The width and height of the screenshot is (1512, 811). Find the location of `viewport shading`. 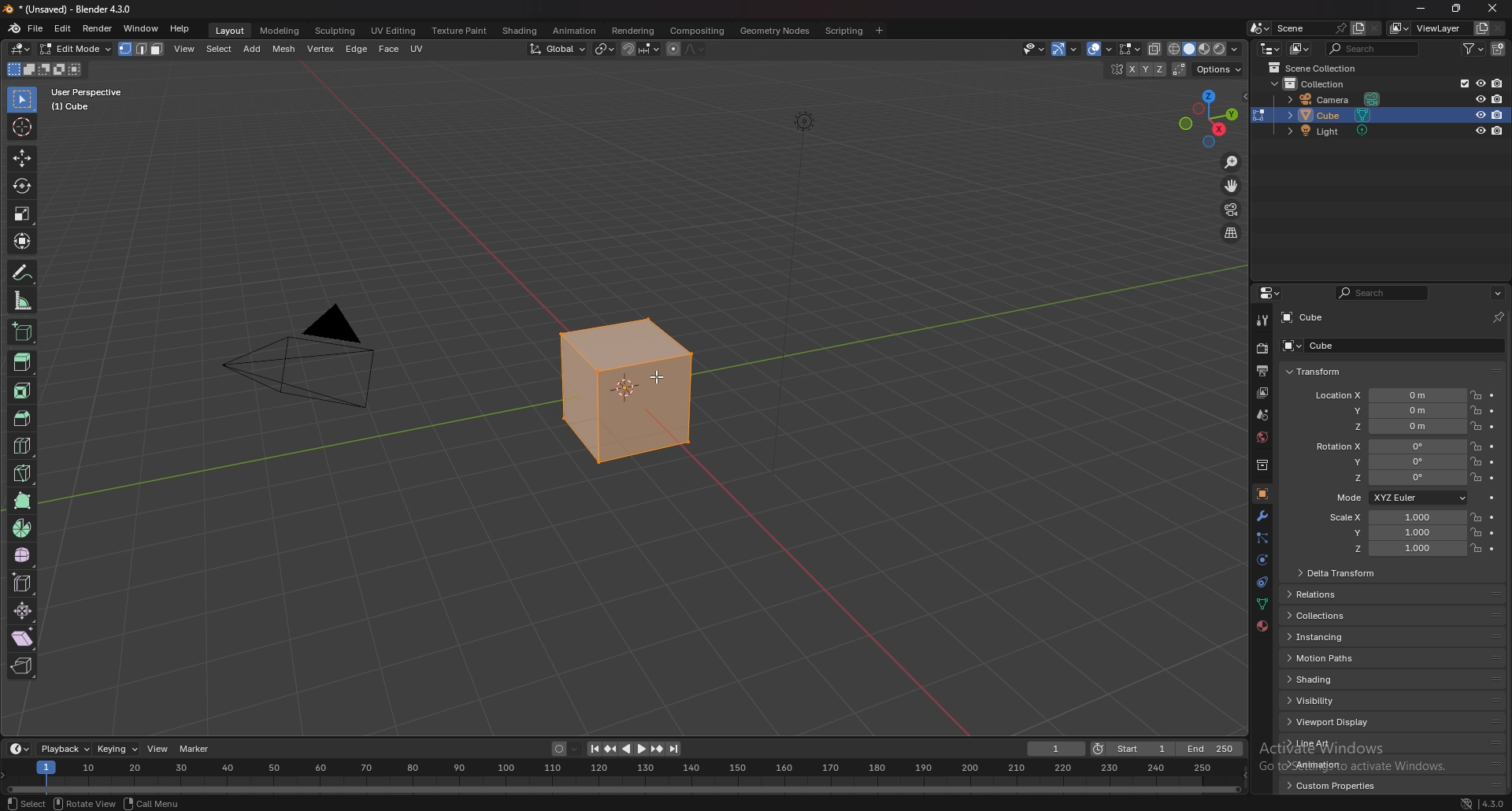

viewport shading is located at coordinates (1204, 49).